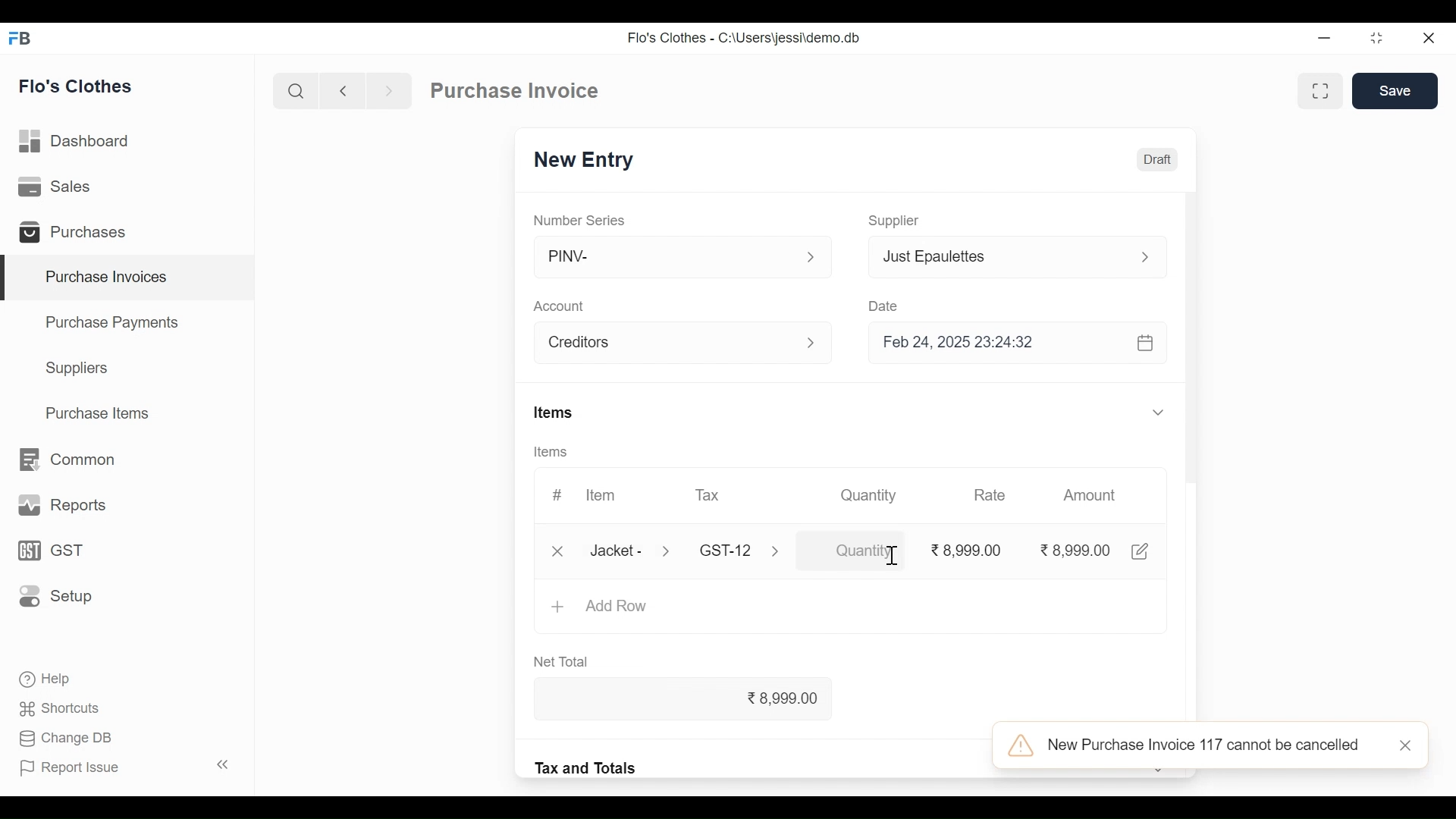  What do you see at coordinates (553, 412) in the screenshot?
I see `Items` at bounding box center [553, 412].